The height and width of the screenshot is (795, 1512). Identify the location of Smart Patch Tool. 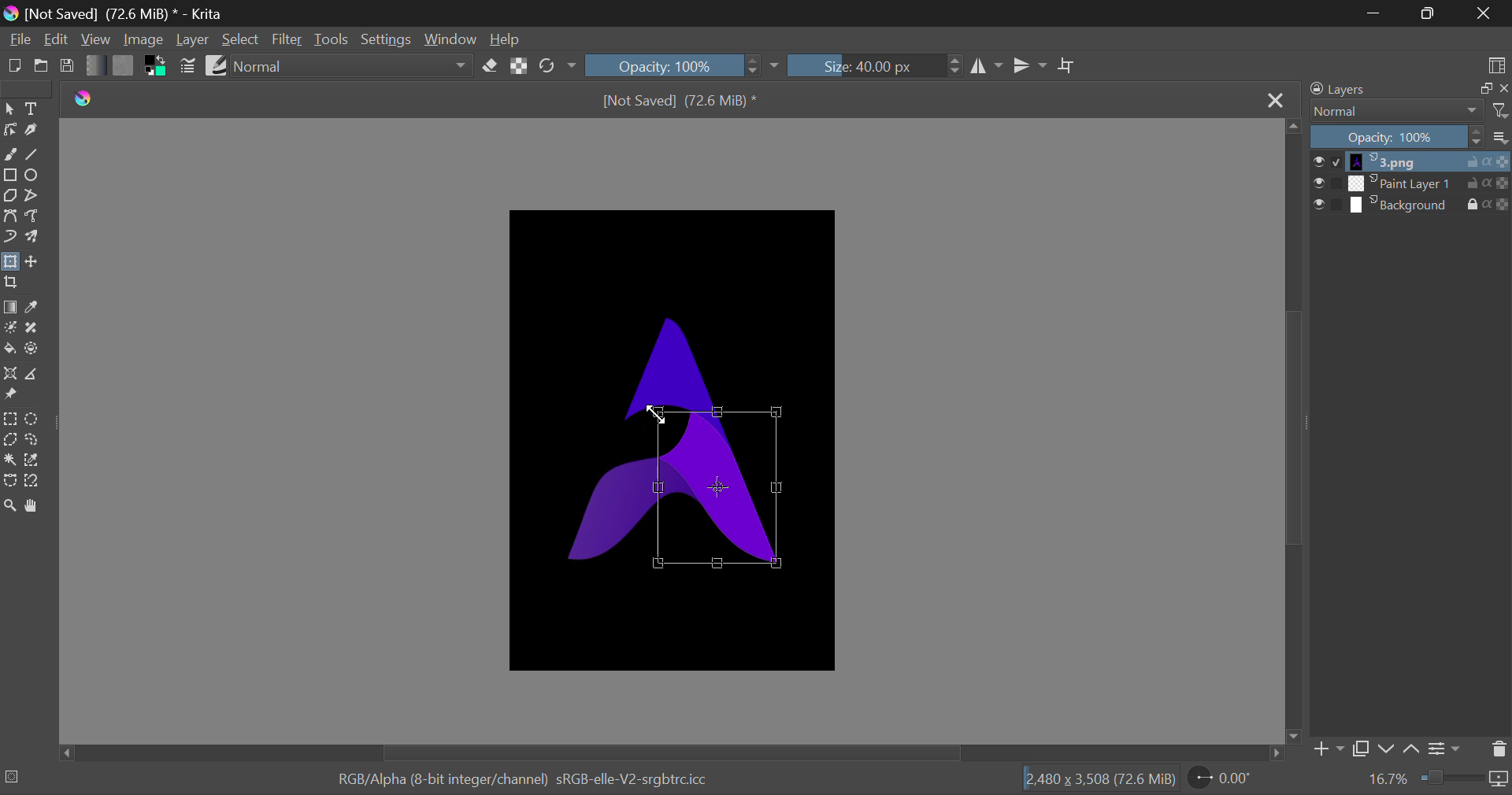
(36, 328).